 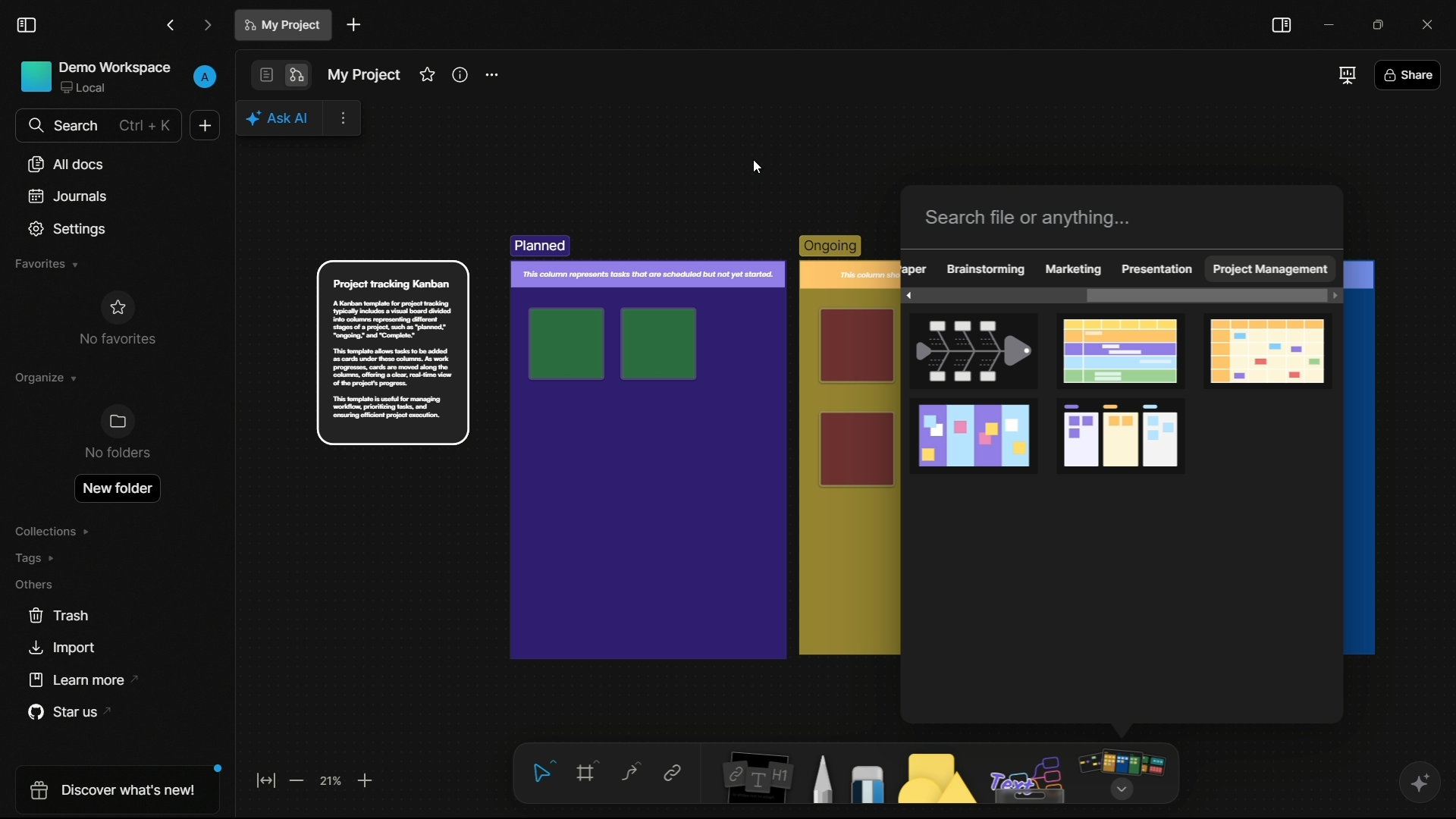 What do you see at coordinates (585, 442) in the screenshot?
I see `template` at bounding box center [585, 442].